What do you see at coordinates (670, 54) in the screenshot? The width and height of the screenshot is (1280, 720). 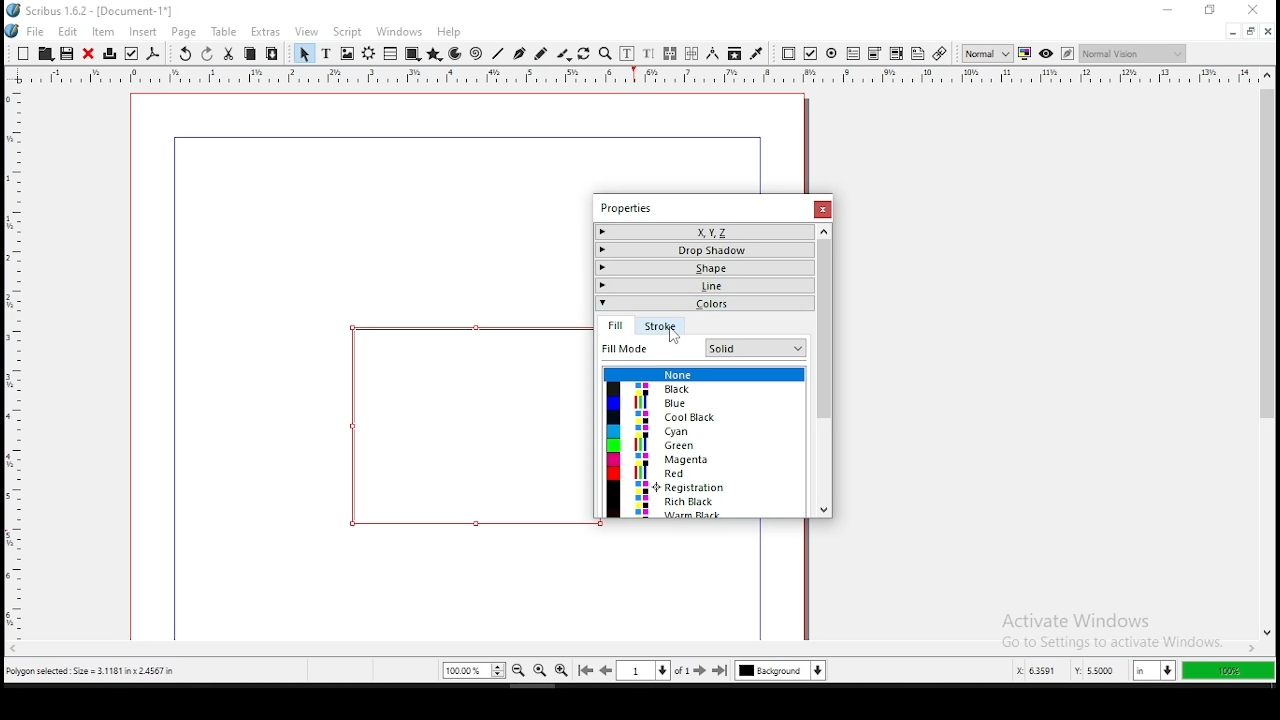 I see `link text frames` at bounding box center [670, 54].